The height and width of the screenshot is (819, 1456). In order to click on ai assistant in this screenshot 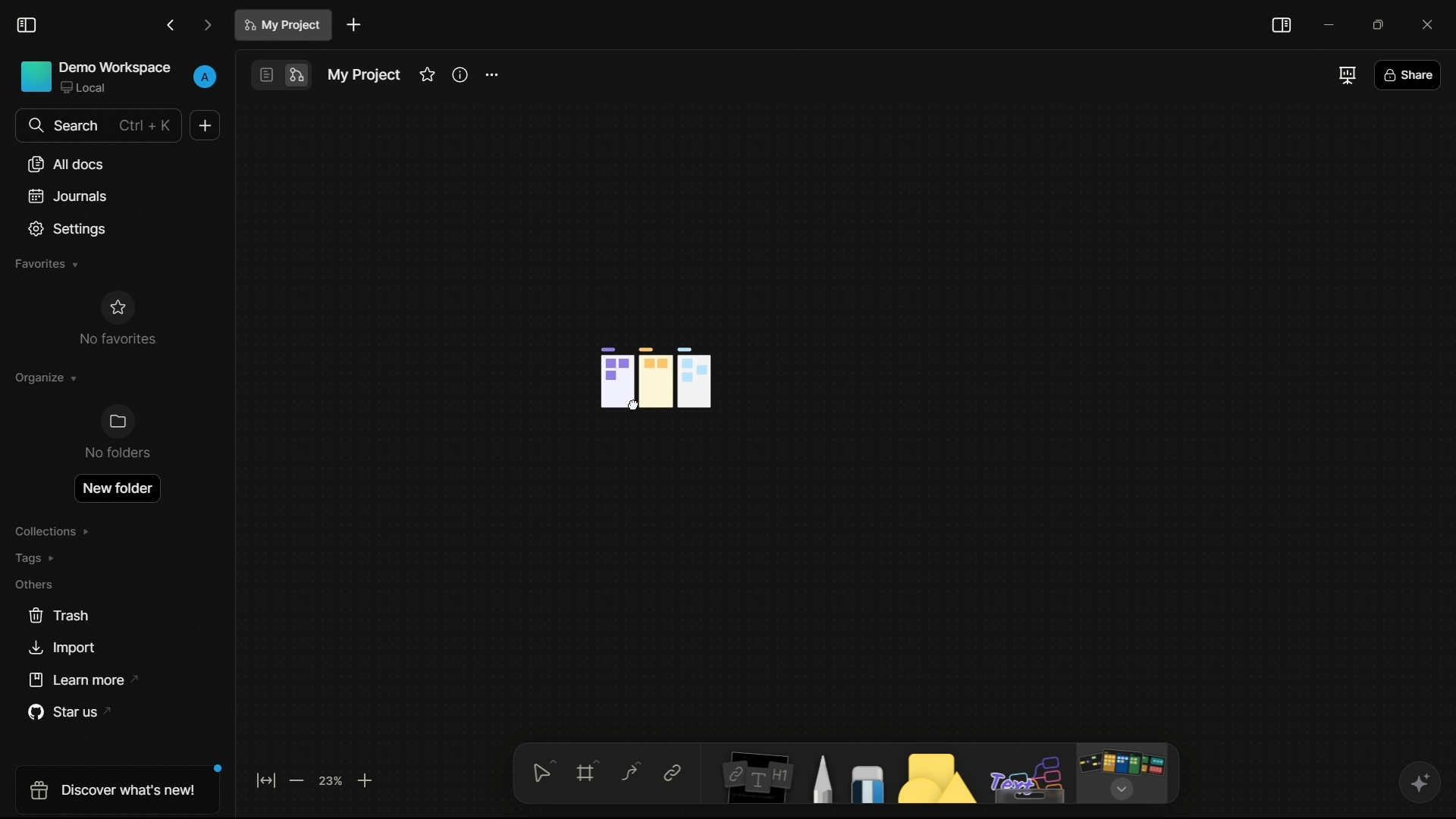, I will do `click(1419, 783)`.